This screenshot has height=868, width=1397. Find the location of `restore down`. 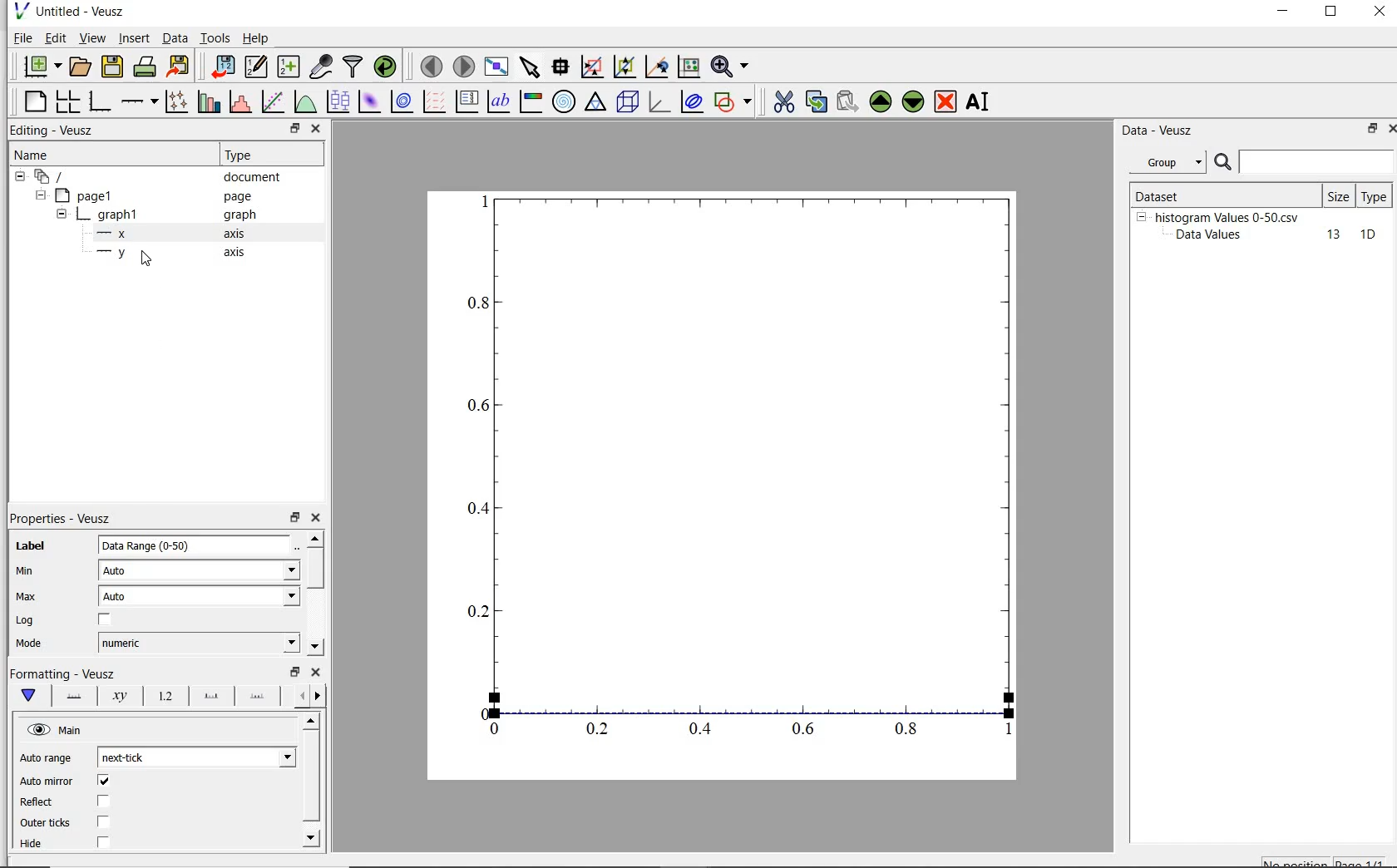

restore down is located at coordinates (295, 518).